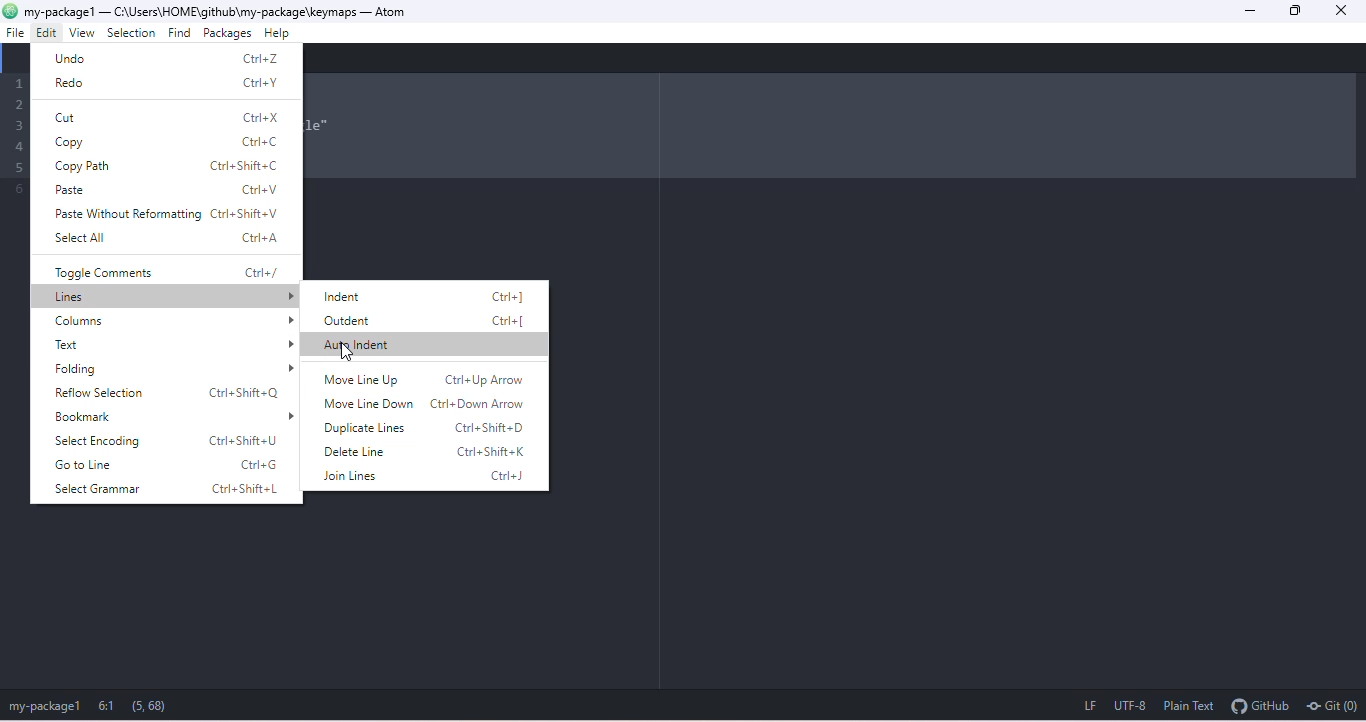 The image size is (1366, 722). Describe the element at coordinates (231, 10) in the screenshot. I see ` c:\users\home\github\my package\keymaps-atom` at that location.